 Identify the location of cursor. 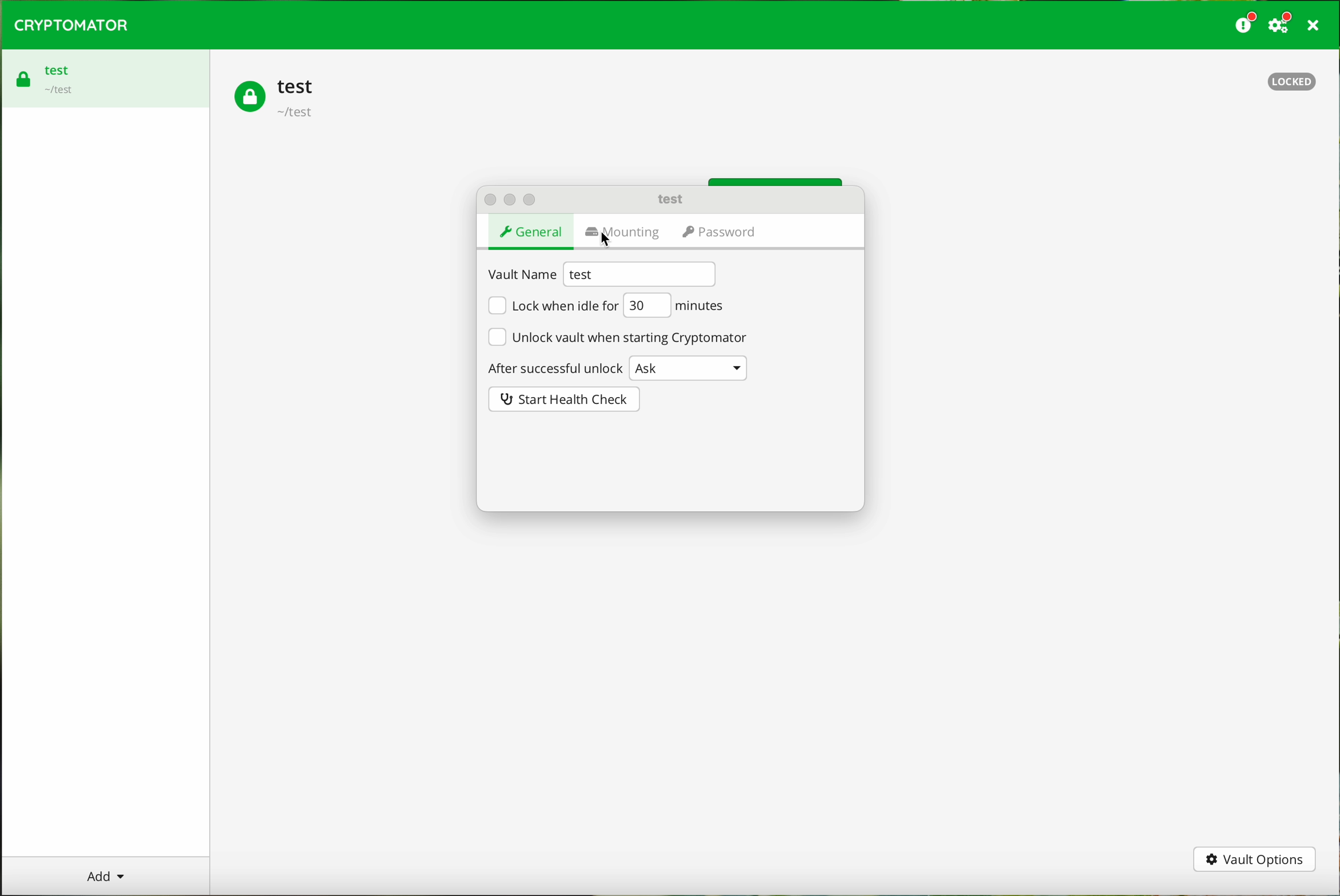
(605, 241).